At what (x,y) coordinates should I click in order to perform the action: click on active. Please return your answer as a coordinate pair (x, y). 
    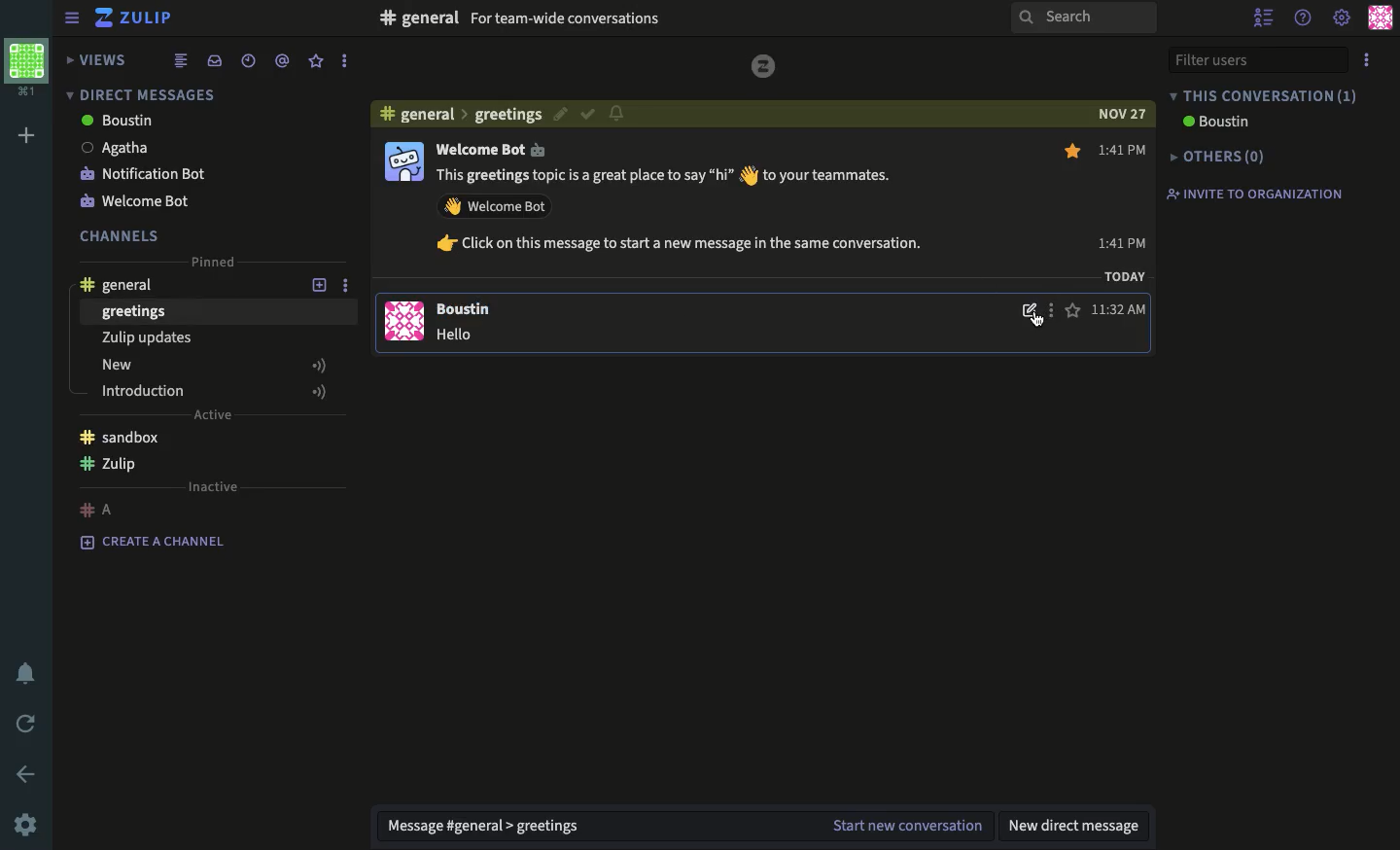
    Looking at the image, I should click on (212, 416).